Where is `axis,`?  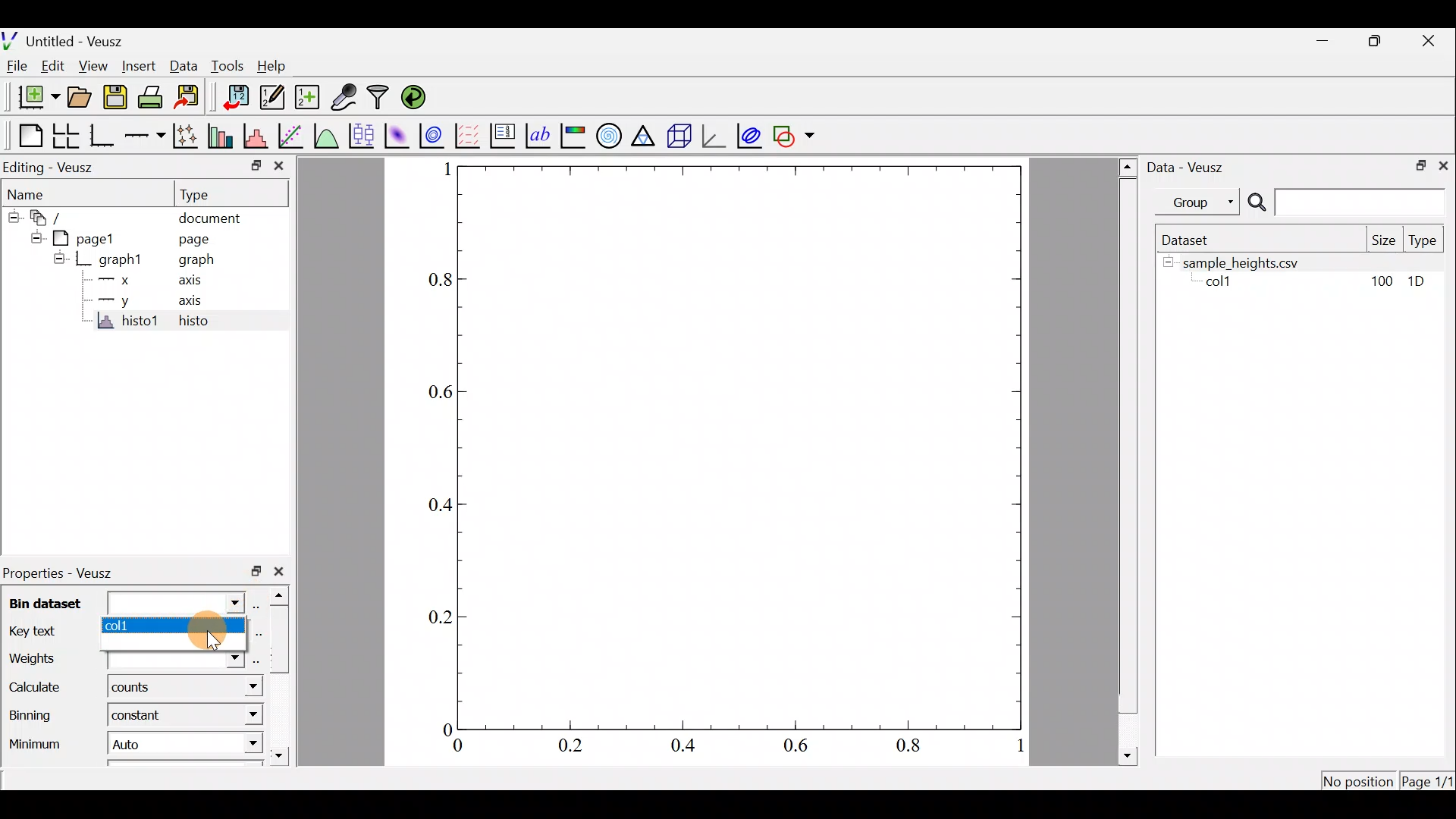 axis, is located at coordinates (190, 301).